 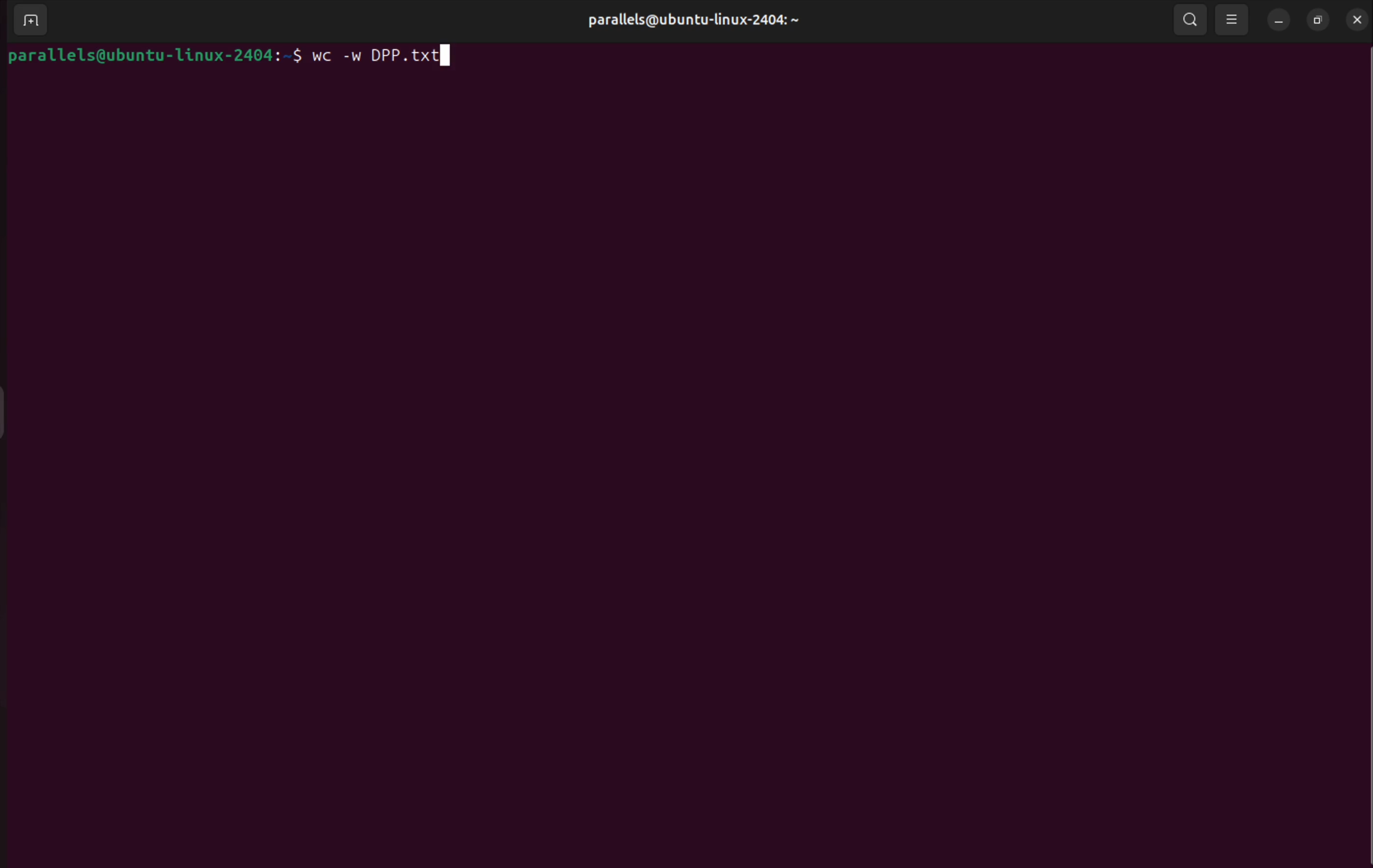 What do you see at coordinates (1319, 19) in the screenshot?
I see `resize` at bounding box center [1319, 19].